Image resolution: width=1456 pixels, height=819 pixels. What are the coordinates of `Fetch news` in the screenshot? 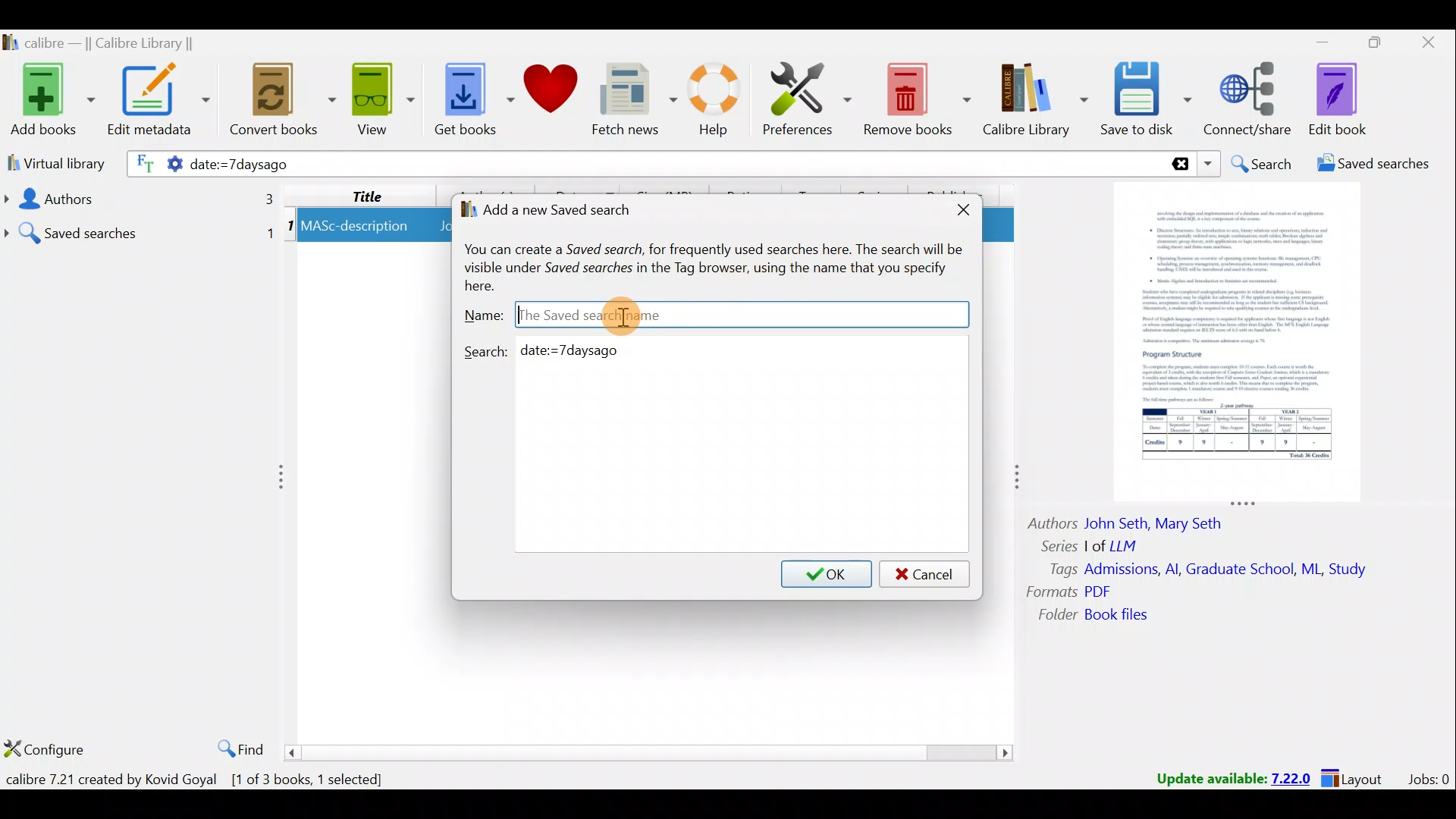 It's located at (634, 100).